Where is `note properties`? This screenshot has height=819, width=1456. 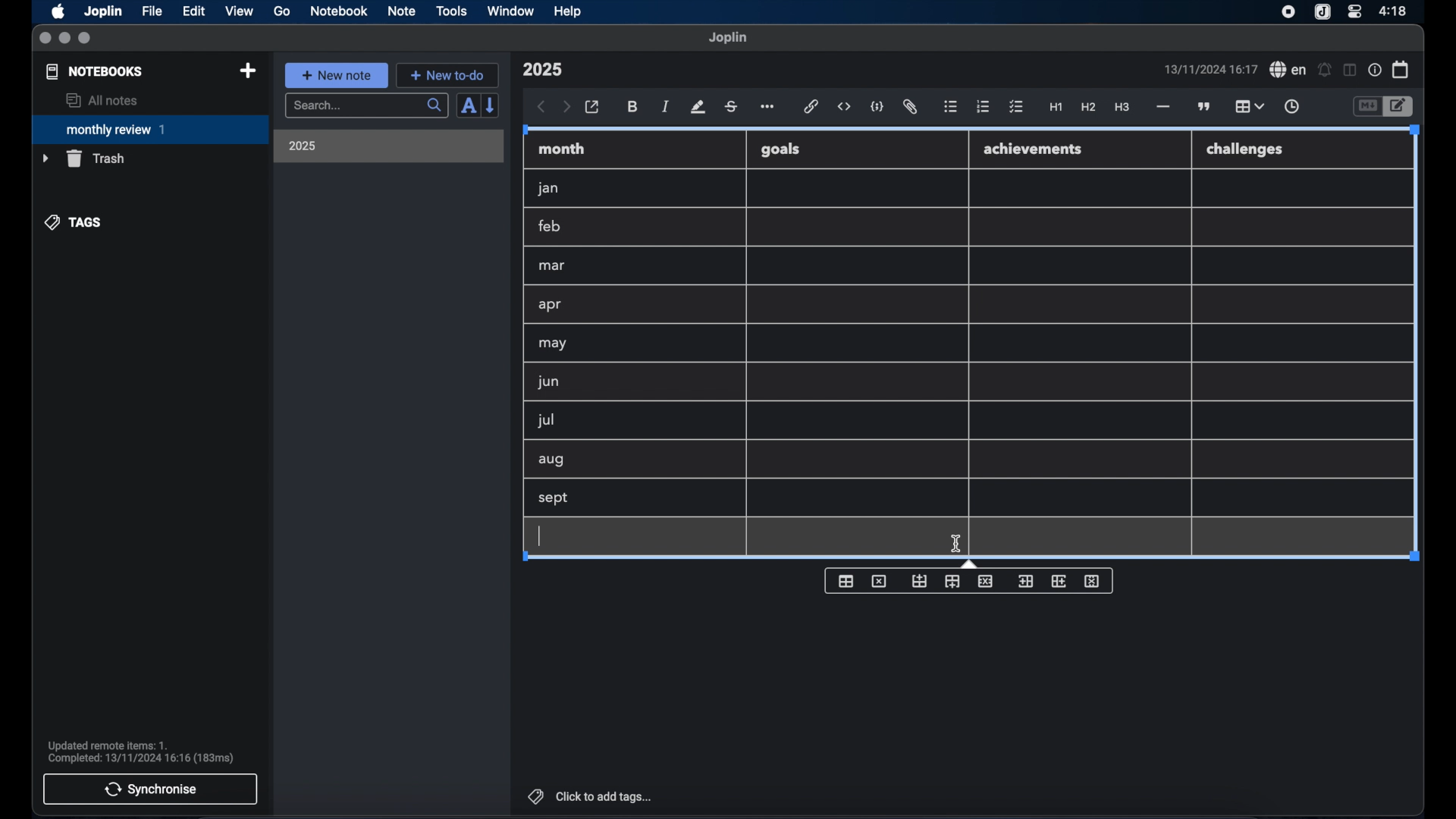 note properties is located at coordinates (1375, 71).